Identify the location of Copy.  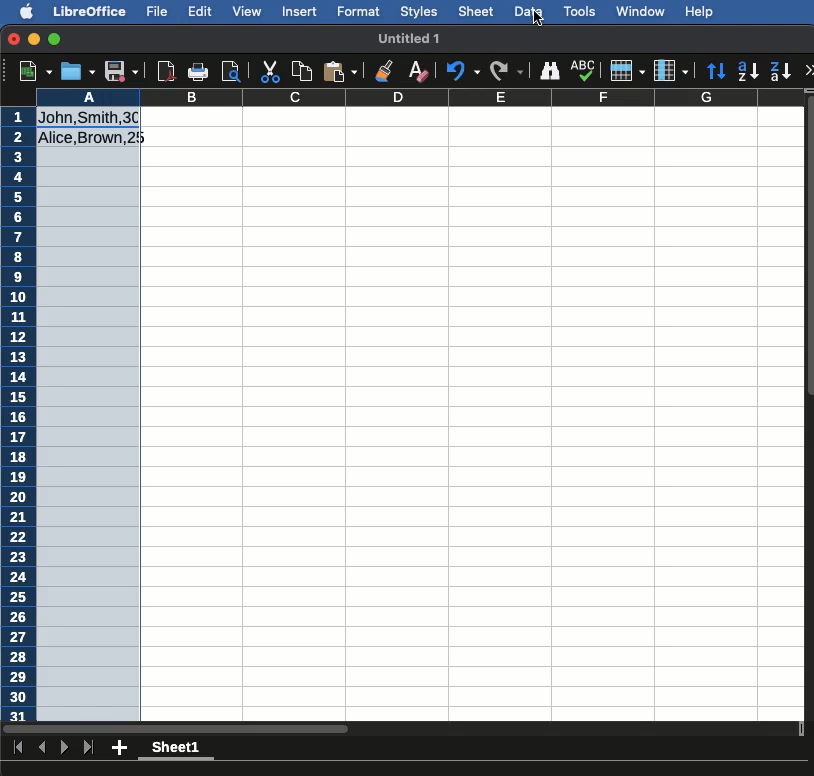
(305, 69).